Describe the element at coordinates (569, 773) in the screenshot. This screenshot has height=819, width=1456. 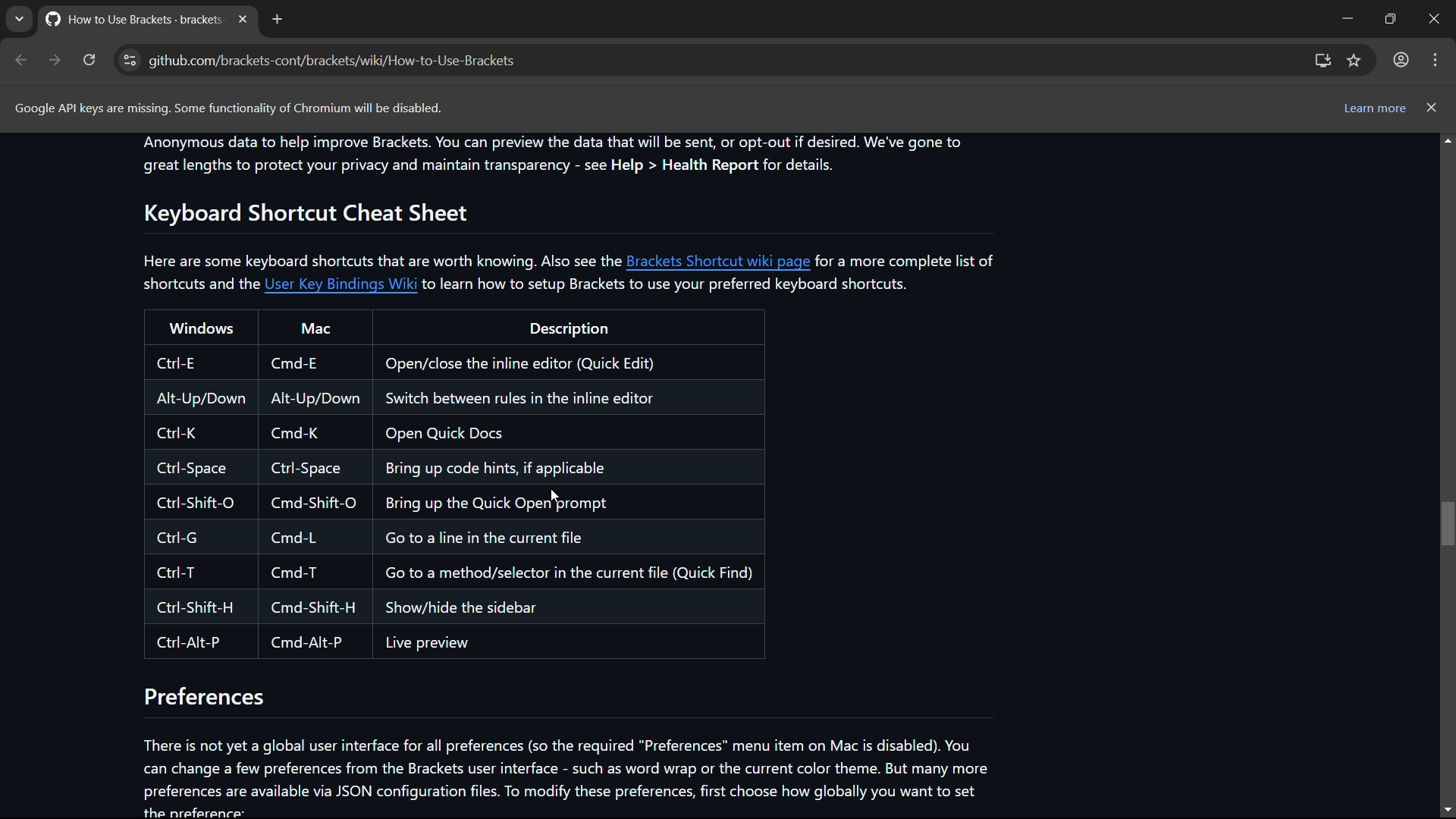
I see `There is not yet a global user interface for all preferences (so the required “Preferences” menu item on Mac is disabled). You
can change a few preferences from the Brackets user interface - such as word wrap or the current color theme. But many more
preferences are available via JSON configuration files. To modify these preferences, first choose how globally you want to set
the nrafaram ea:` at that location.